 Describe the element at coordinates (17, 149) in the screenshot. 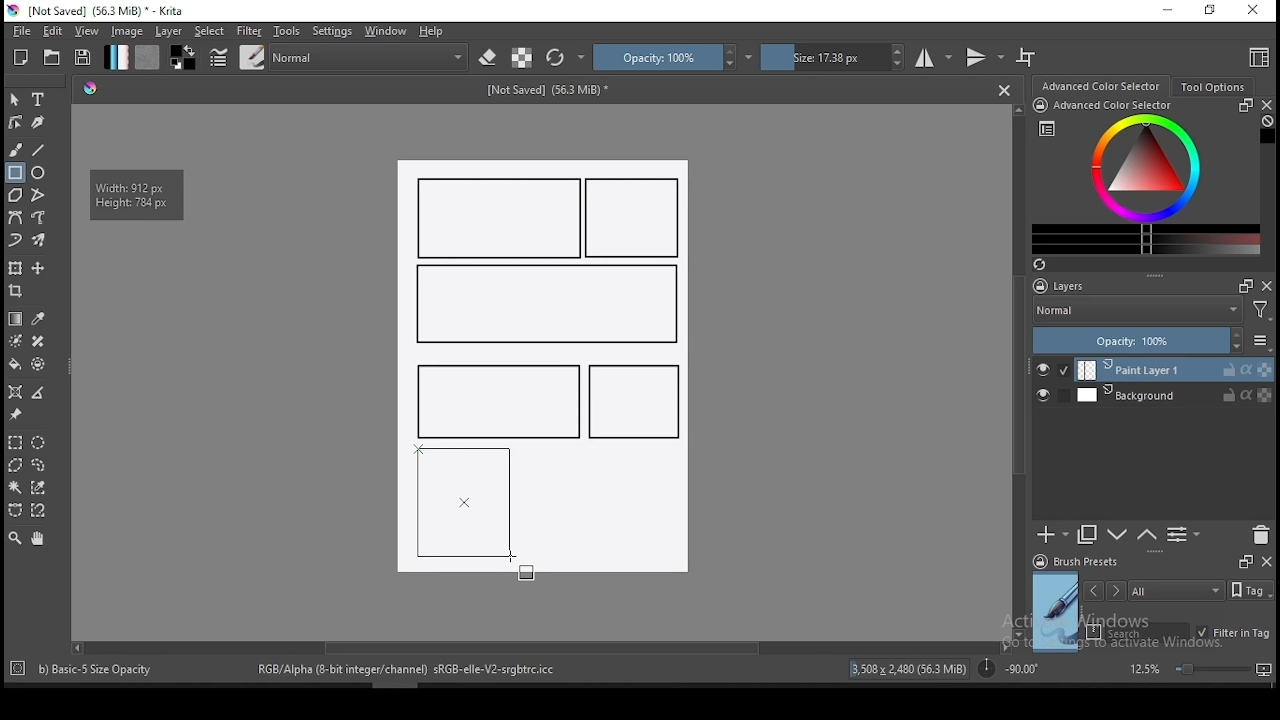

I see `brush tool` at that location.